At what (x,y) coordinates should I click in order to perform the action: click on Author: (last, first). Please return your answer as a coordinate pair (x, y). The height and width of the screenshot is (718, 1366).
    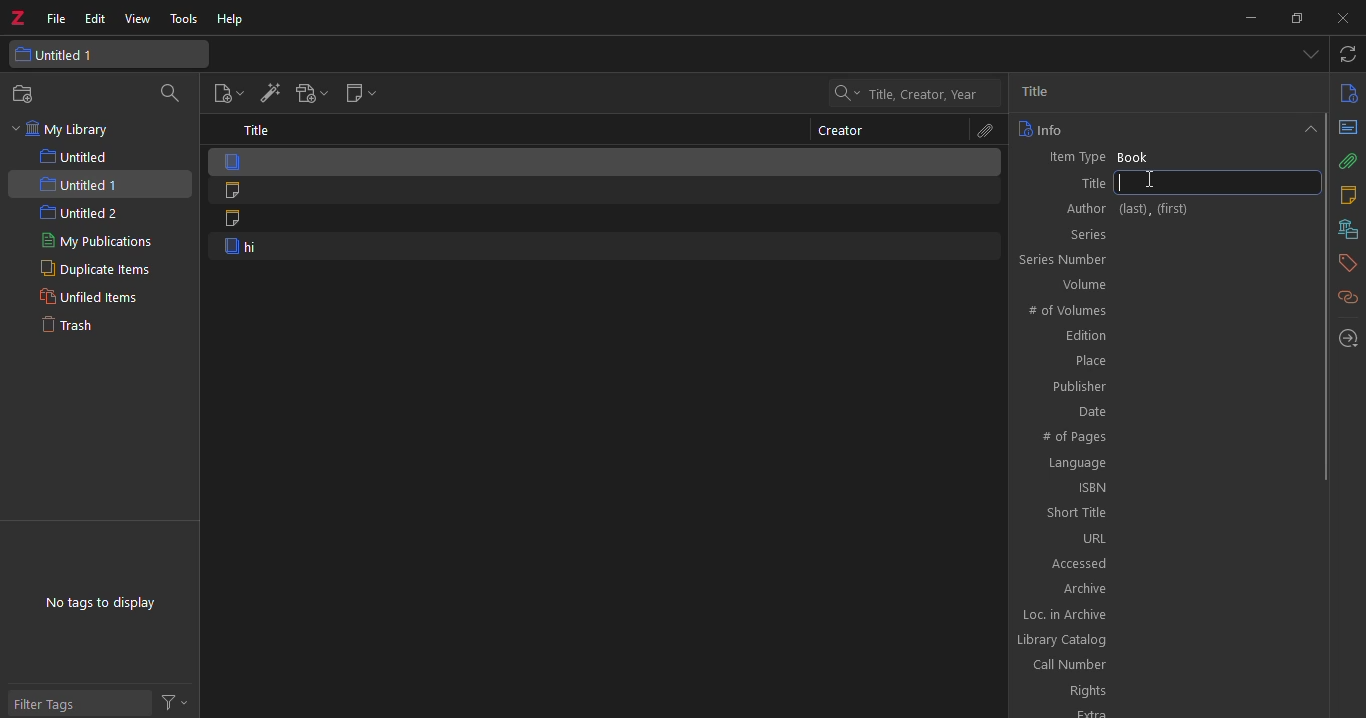
    Looking at the image, I should click on (1159, 206).